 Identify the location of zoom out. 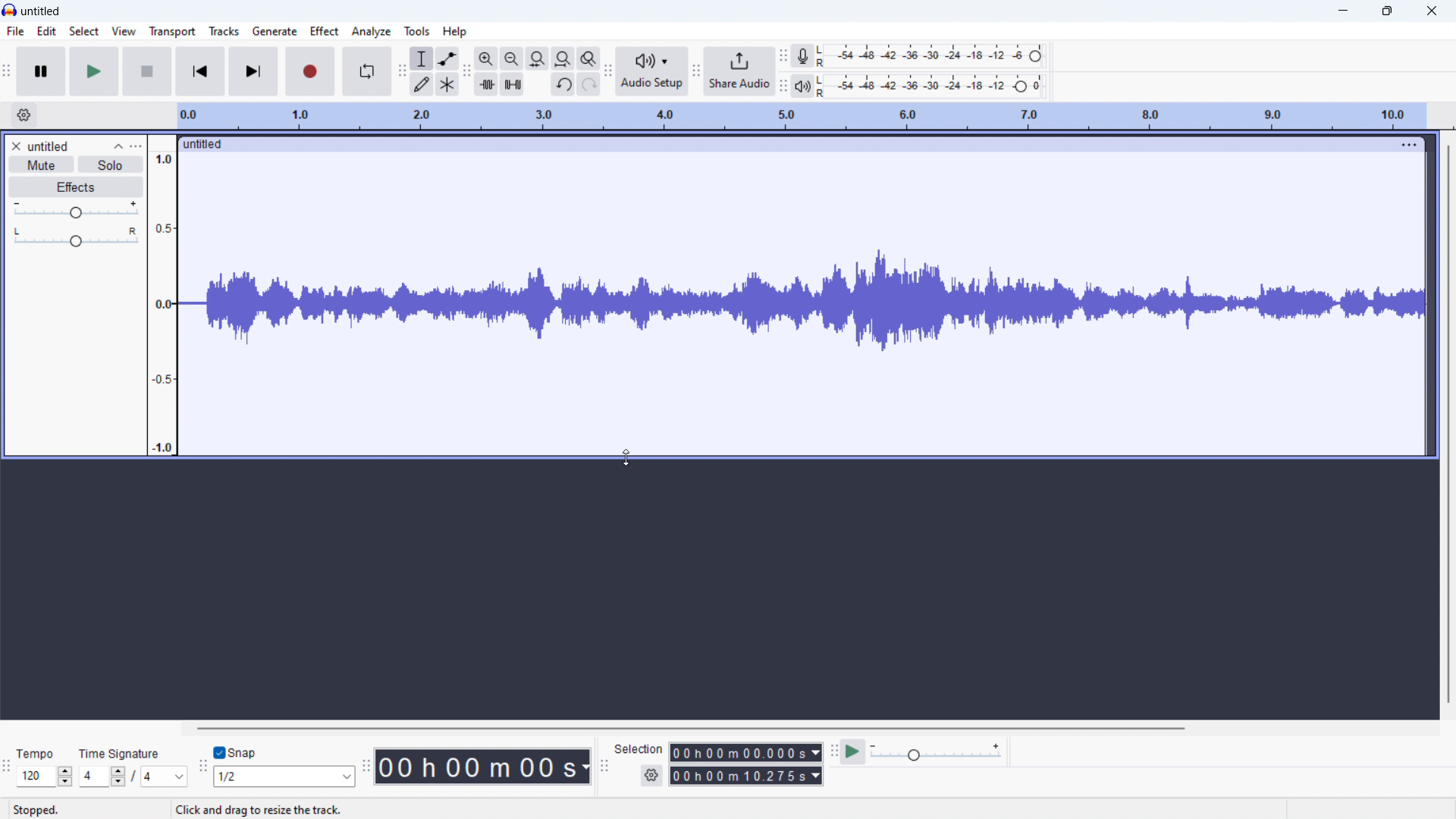
(512, 58).